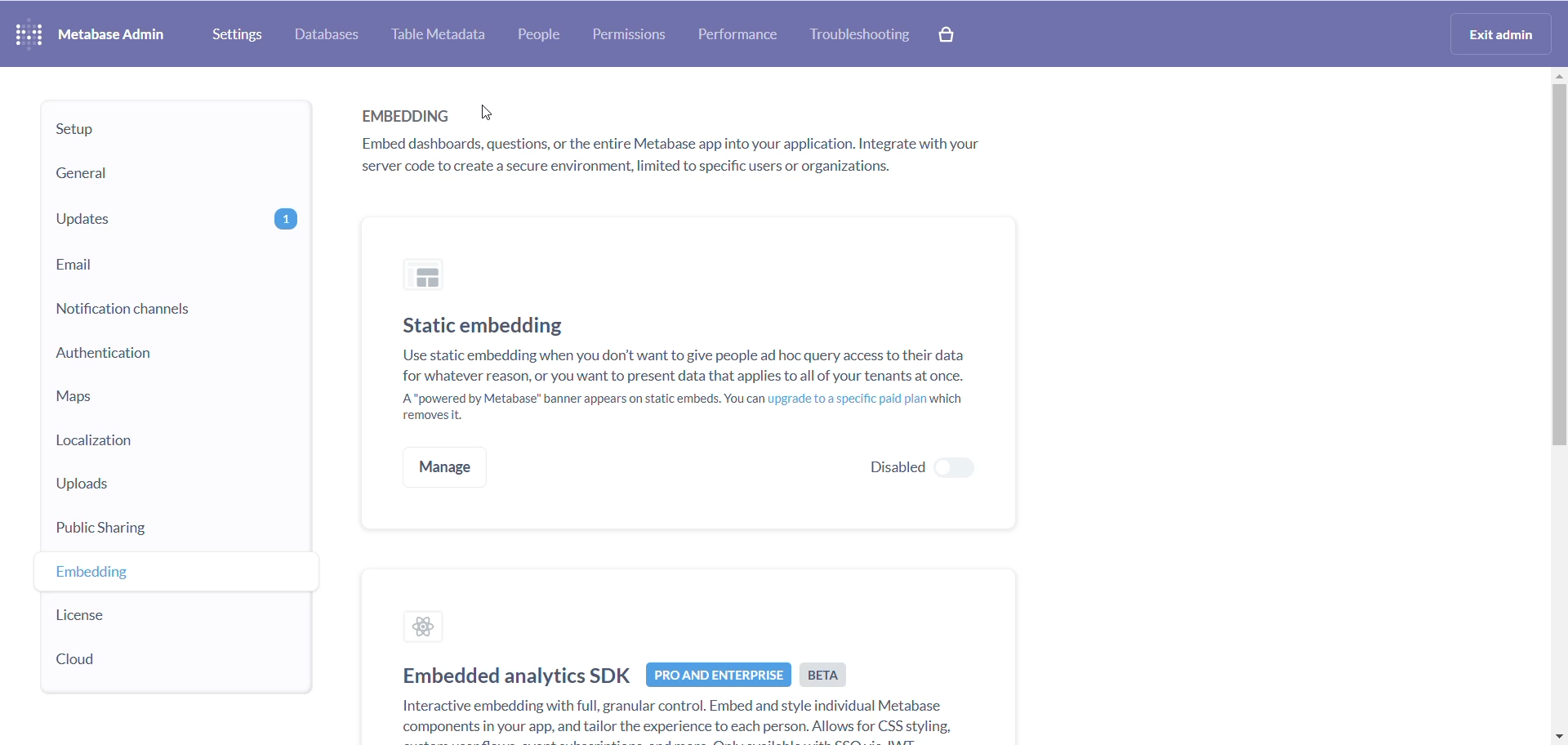 This screenshot has width=1568, height=745. What do you see at coordinates (114, 34) in the screenshot?
I see `metabase admin` at bounding box center [114, 34].